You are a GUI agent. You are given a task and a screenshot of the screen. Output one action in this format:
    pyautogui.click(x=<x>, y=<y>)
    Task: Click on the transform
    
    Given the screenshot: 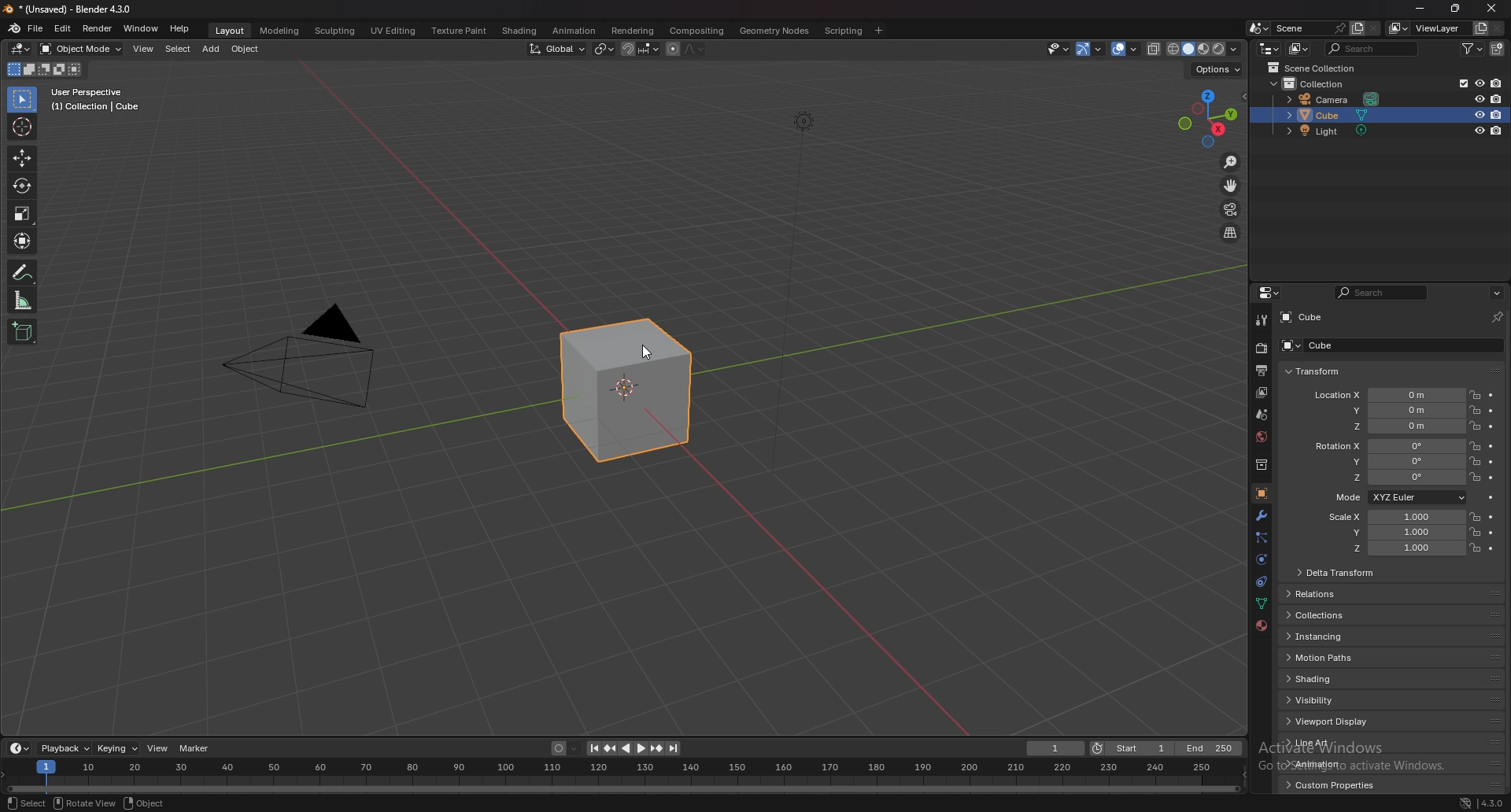 What is the action you would take?
    pyautogui.click(x=24, y=241)
    